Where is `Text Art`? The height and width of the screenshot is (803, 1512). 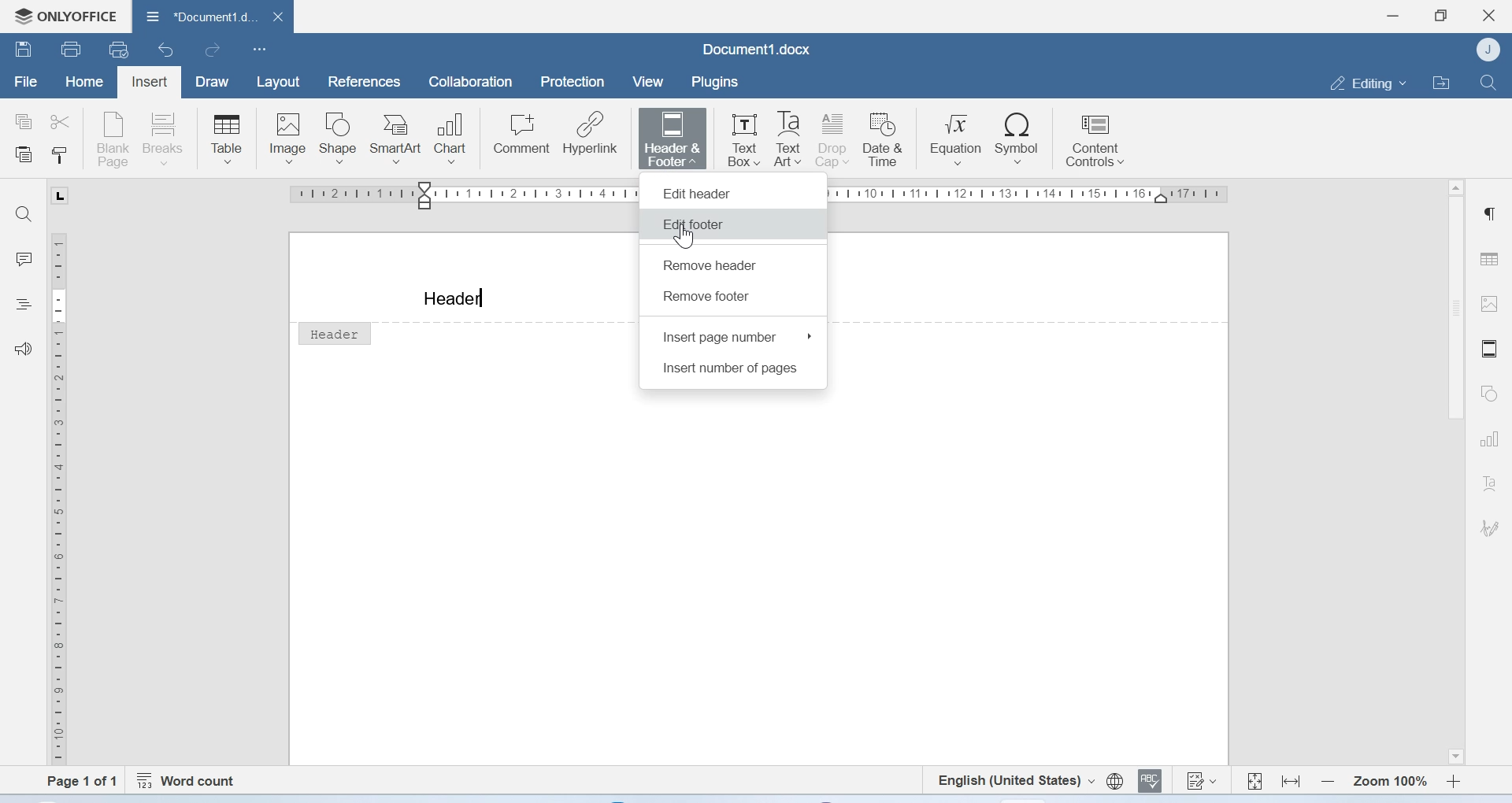
Text Art is located at coordinates (788, 140).